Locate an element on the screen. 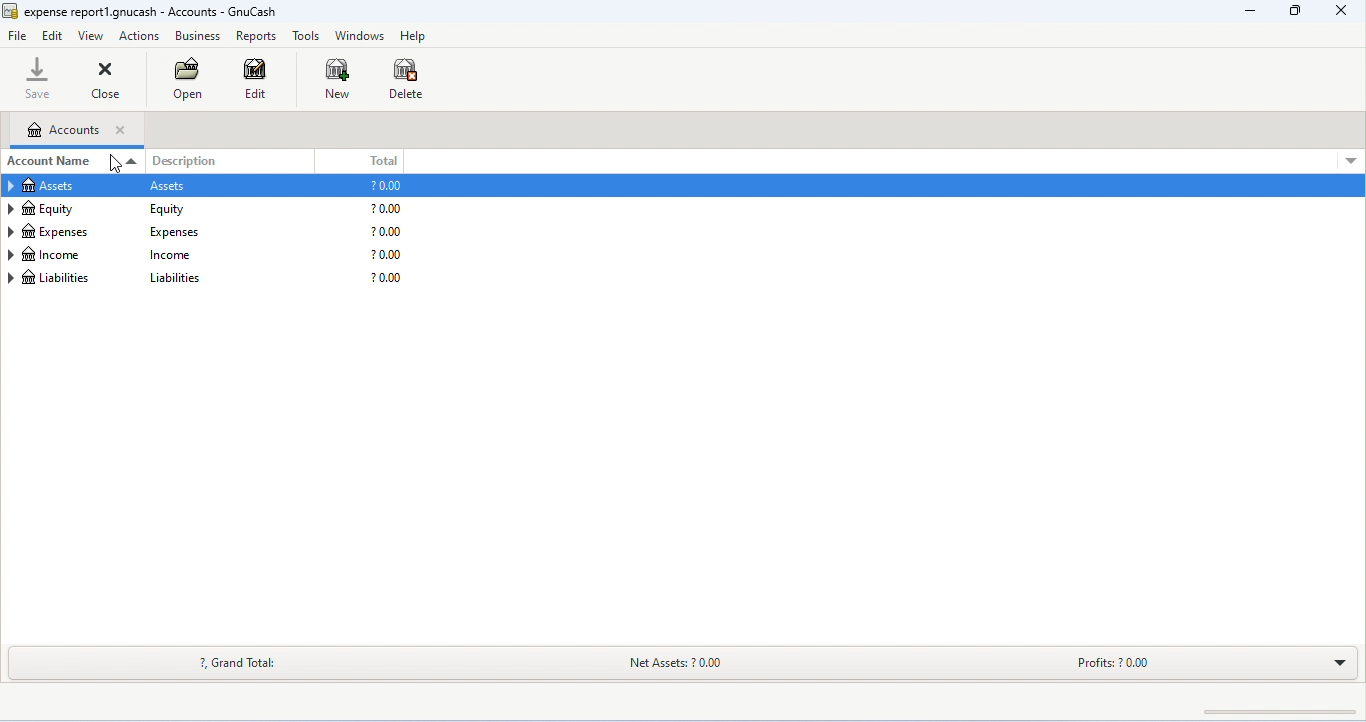 This screenshot has height=722, width=1366. liabilities description is located at coordinates (389, 279).